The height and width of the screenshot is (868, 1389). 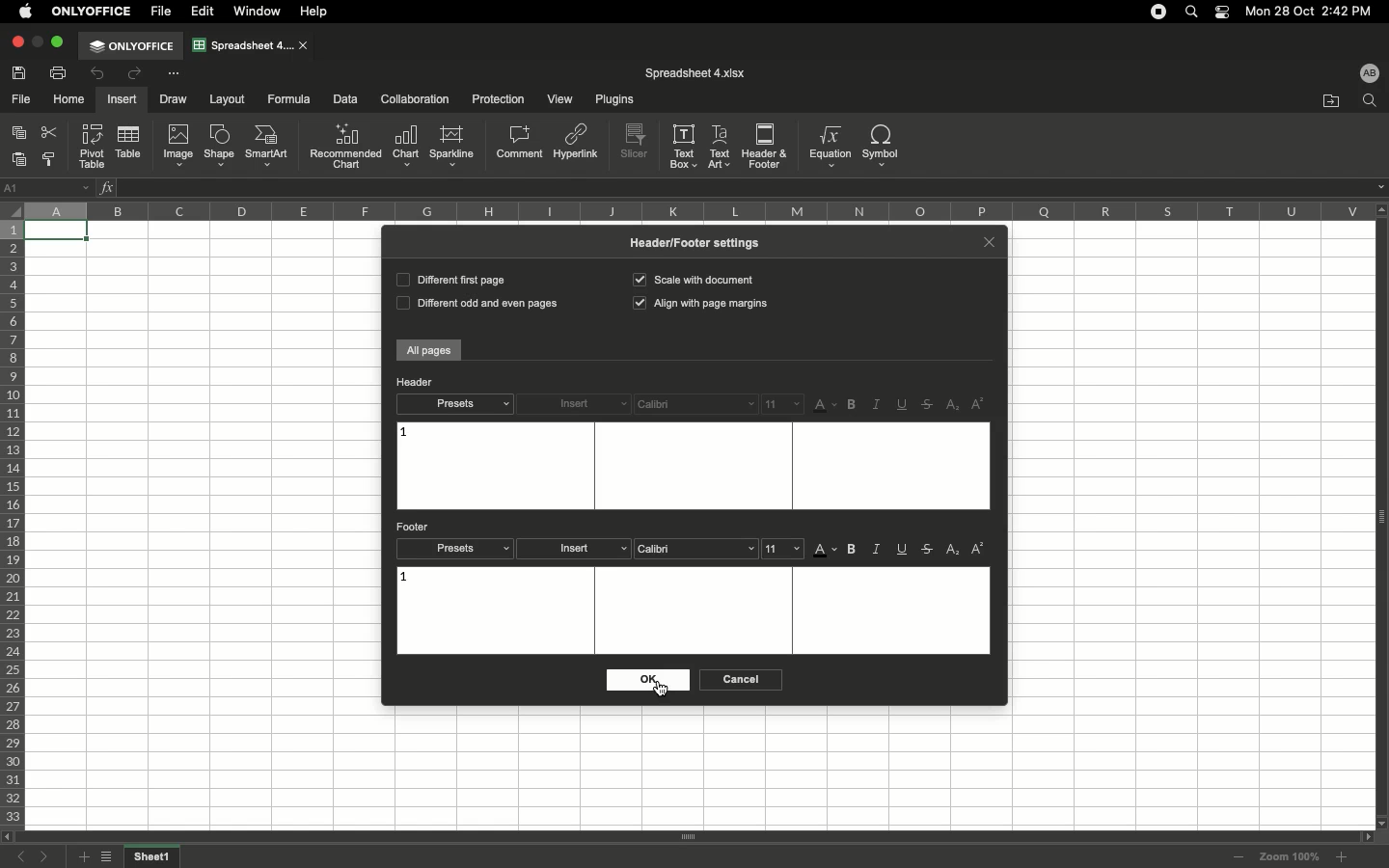 I want to click on Presets, so click(x=456, y=549).